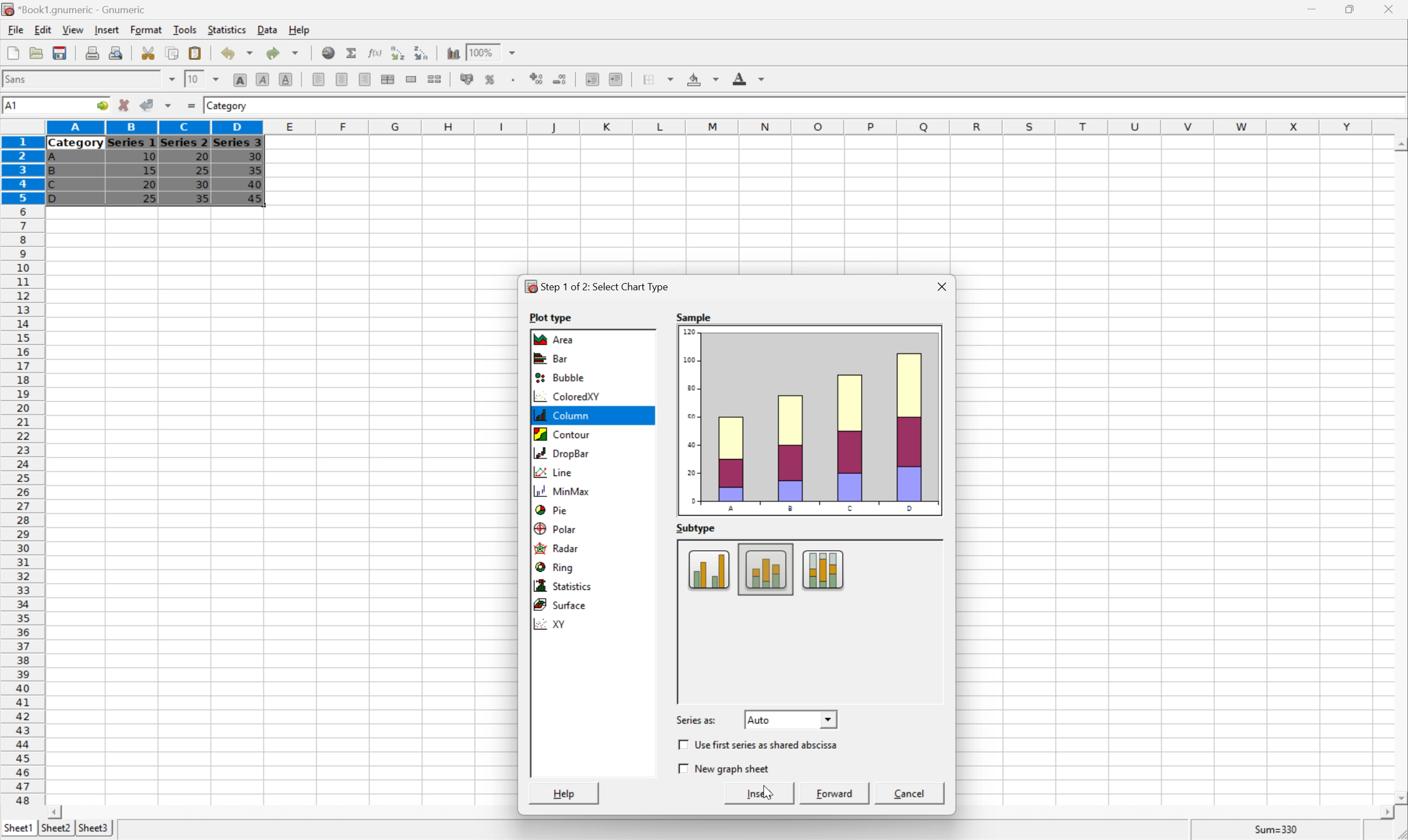 The image size is (1408, 840). I want to click on Column subtype, so click(828, 570).